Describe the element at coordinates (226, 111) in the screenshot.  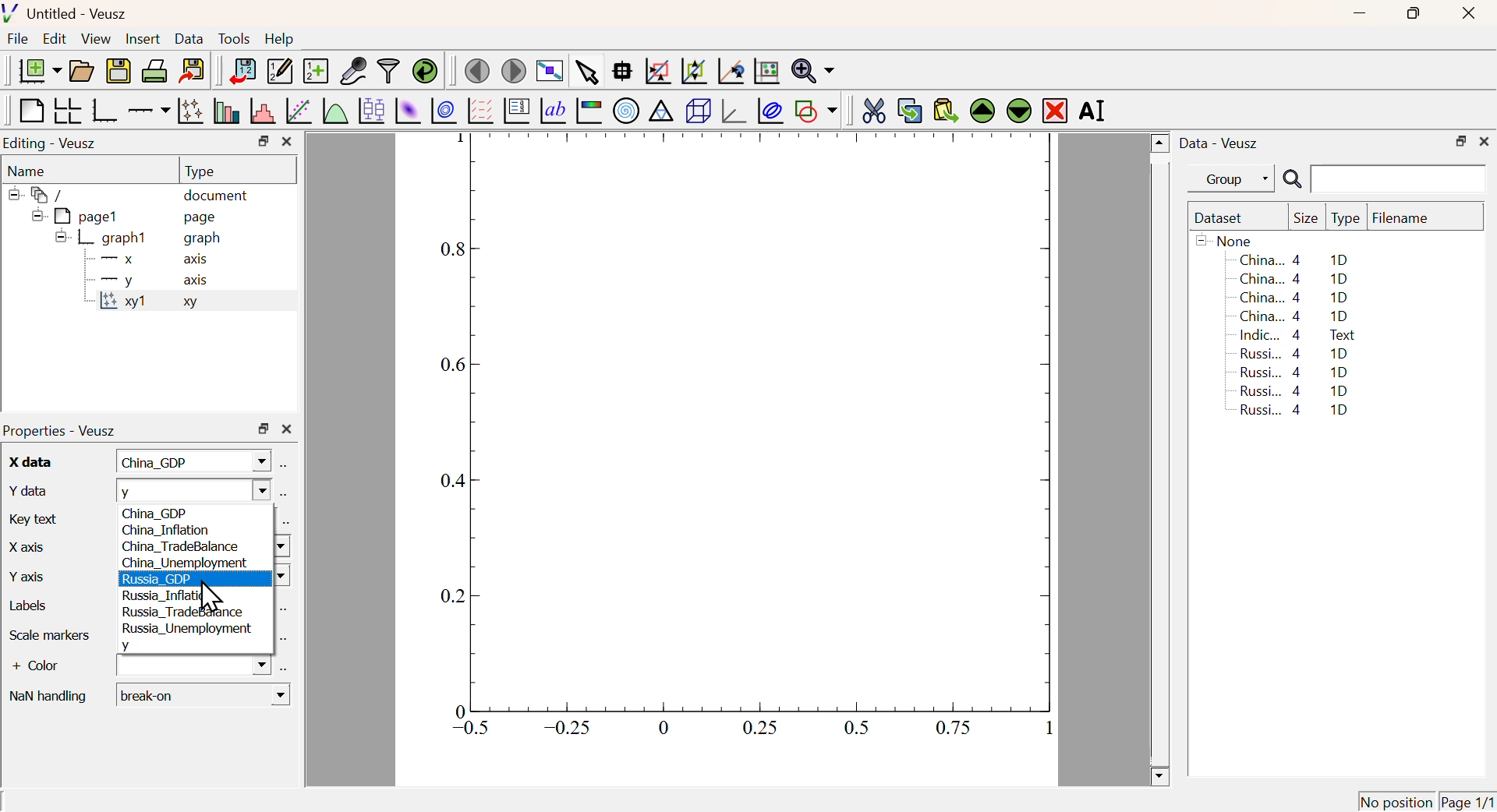
I see `Plot bar charts` at that location.